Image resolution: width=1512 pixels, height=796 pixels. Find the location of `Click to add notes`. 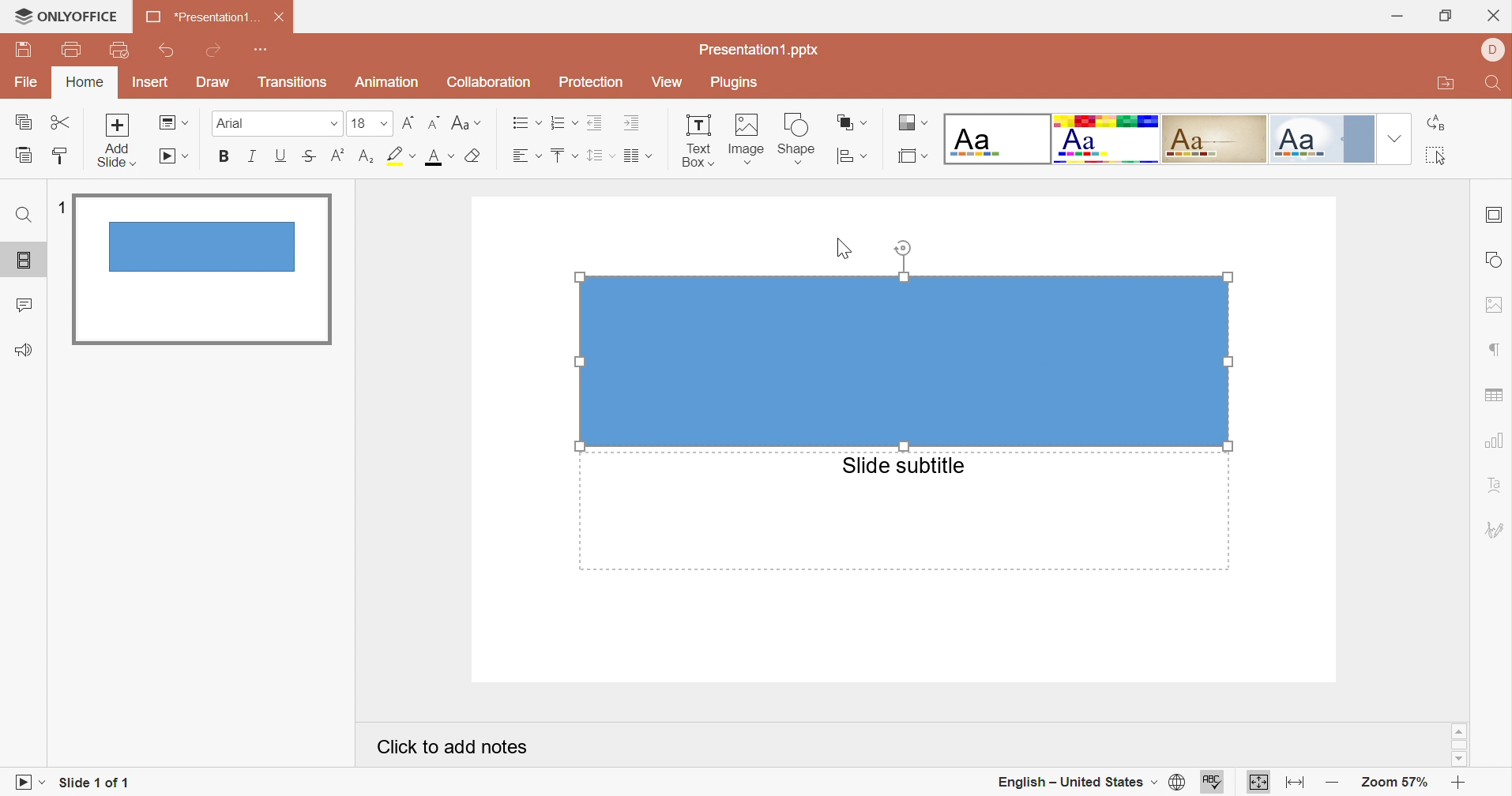

Click to add notes is located at coordinates (452, 747).